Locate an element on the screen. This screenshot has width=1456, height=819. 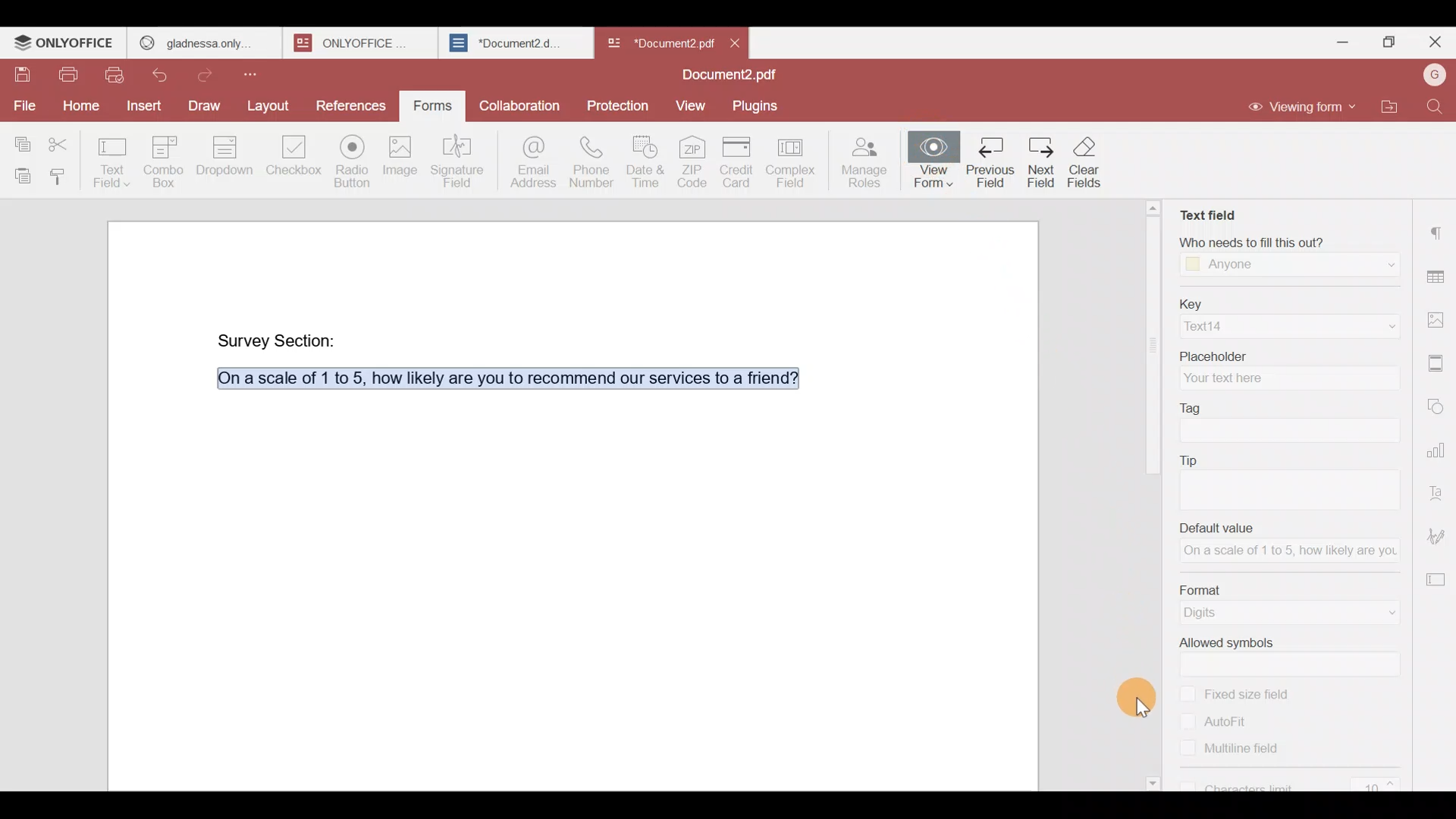
Paste is located at coordinates (18, 173).